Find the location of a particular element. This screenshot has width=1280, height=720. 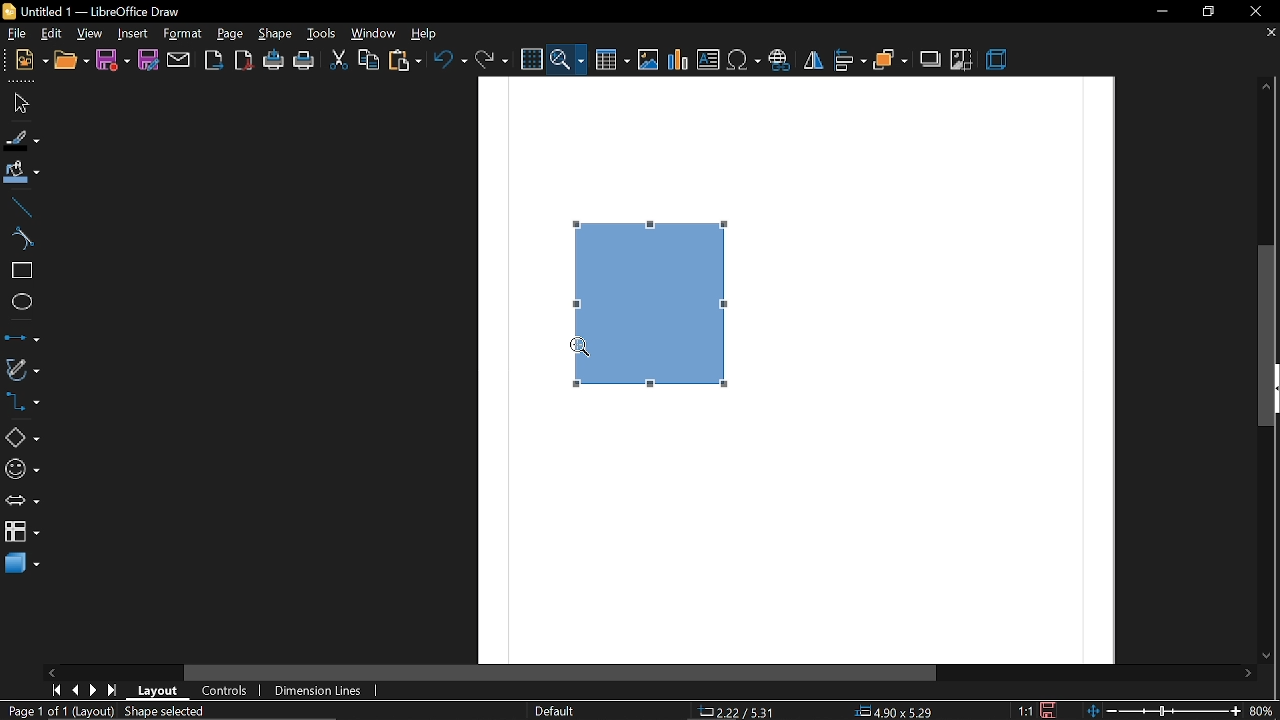

copy is located at coordinates (367, 61).